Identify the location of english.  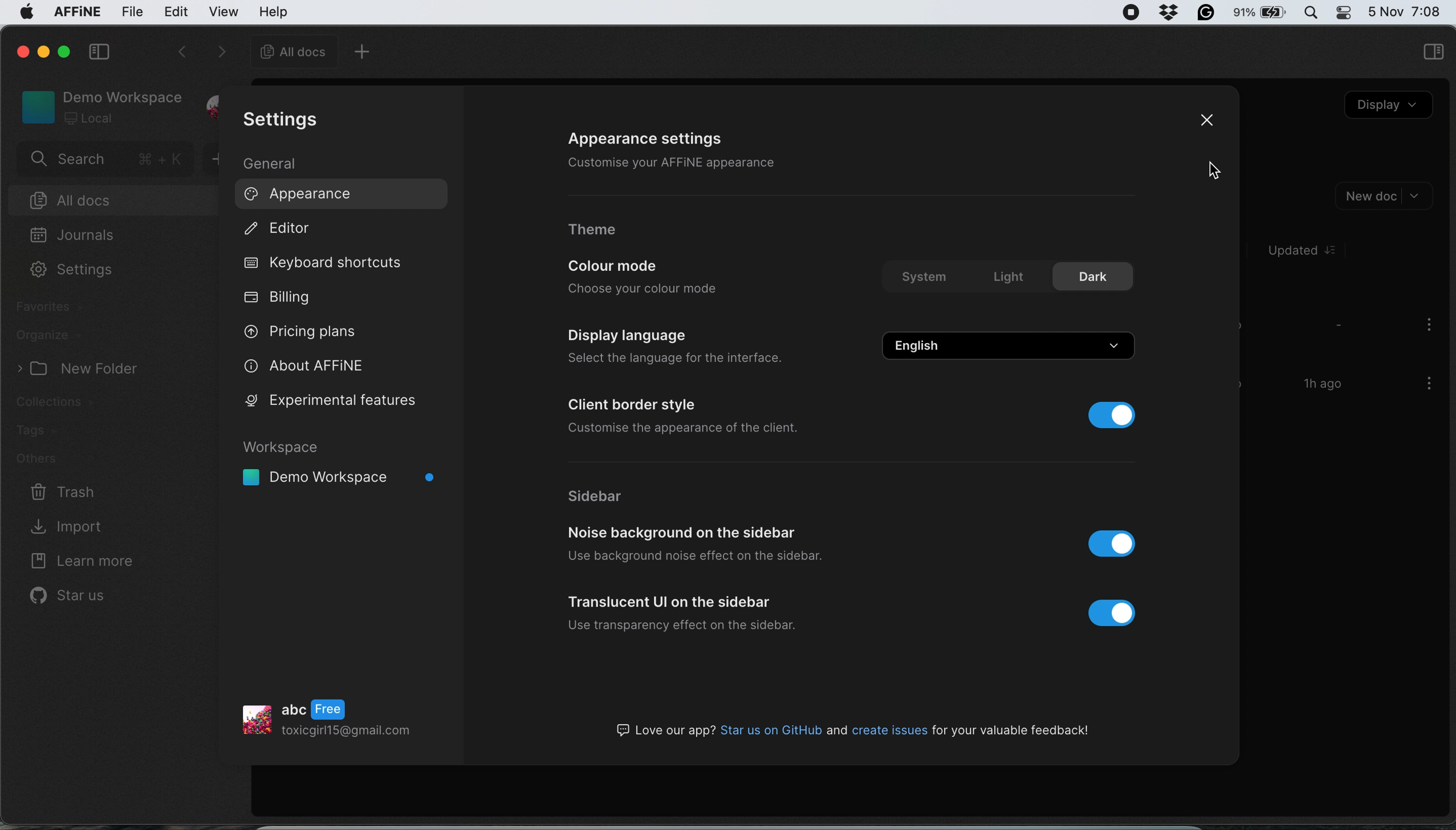
(1010, 345).